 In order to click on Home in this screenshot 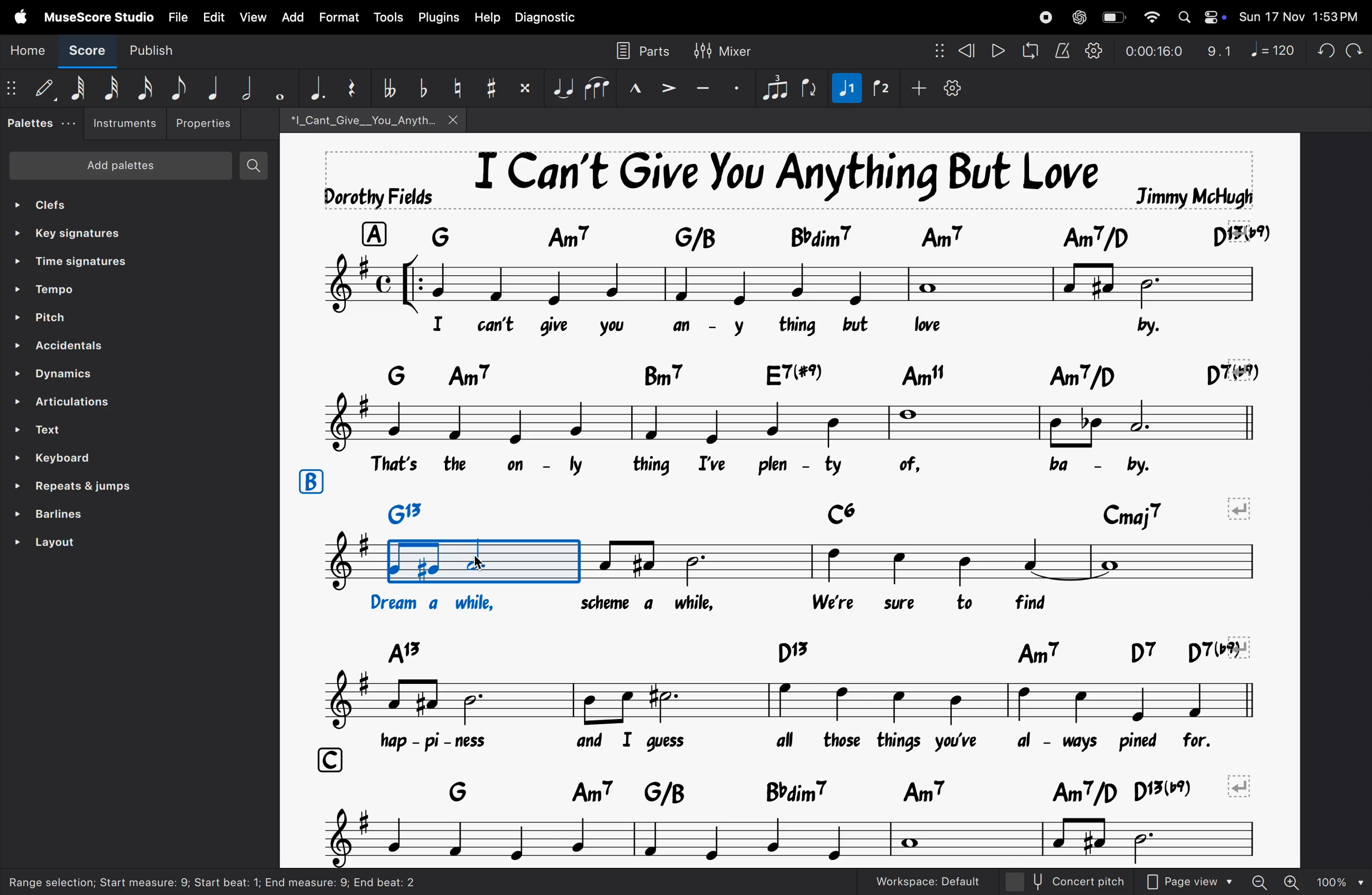, I will do `click(29, 50)`.